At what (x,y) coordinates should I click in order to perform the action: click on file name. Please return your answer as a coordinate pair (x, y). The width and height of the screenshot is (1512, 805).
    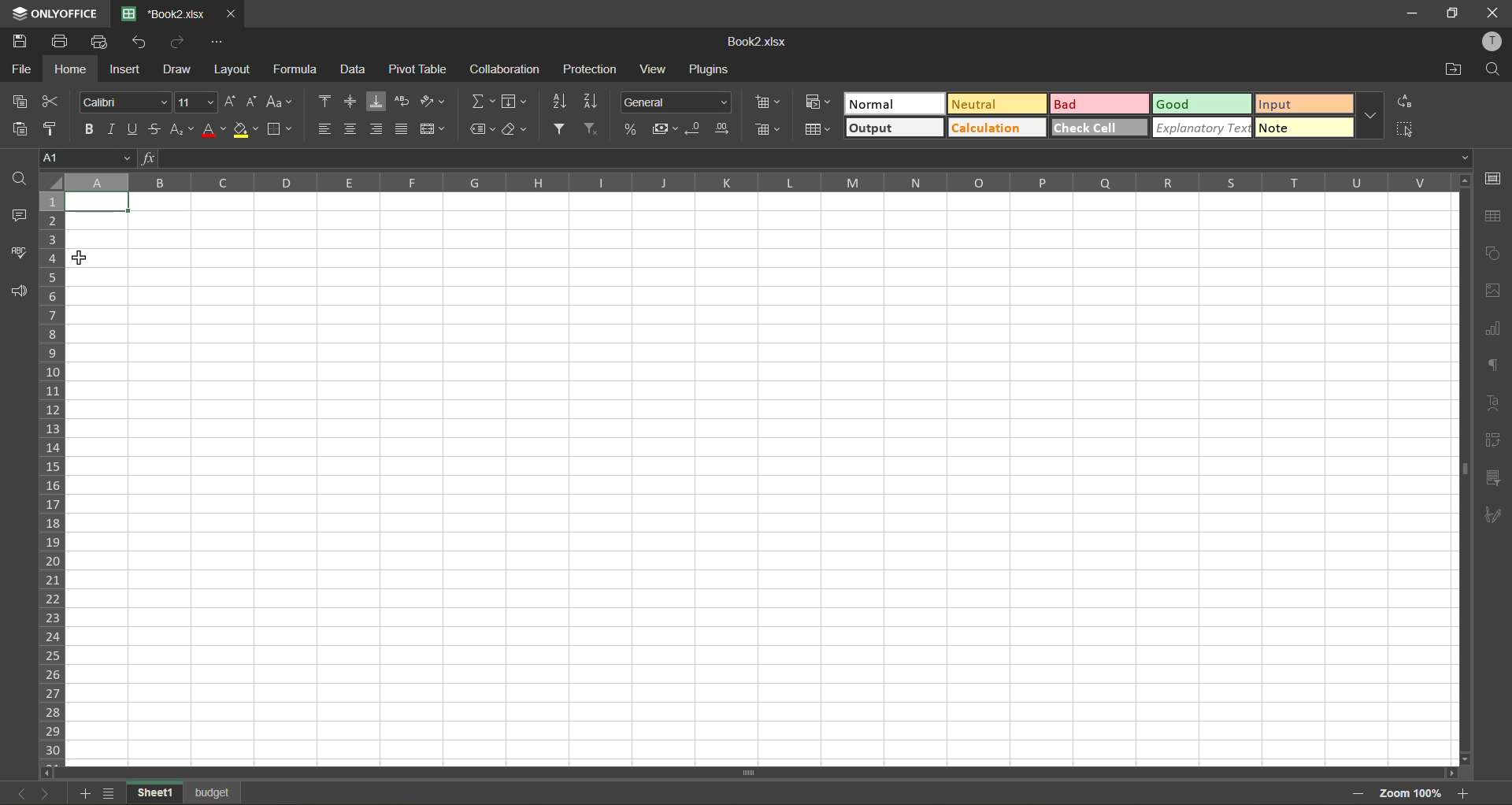
    Looking at the image, I should click on (169, 14).